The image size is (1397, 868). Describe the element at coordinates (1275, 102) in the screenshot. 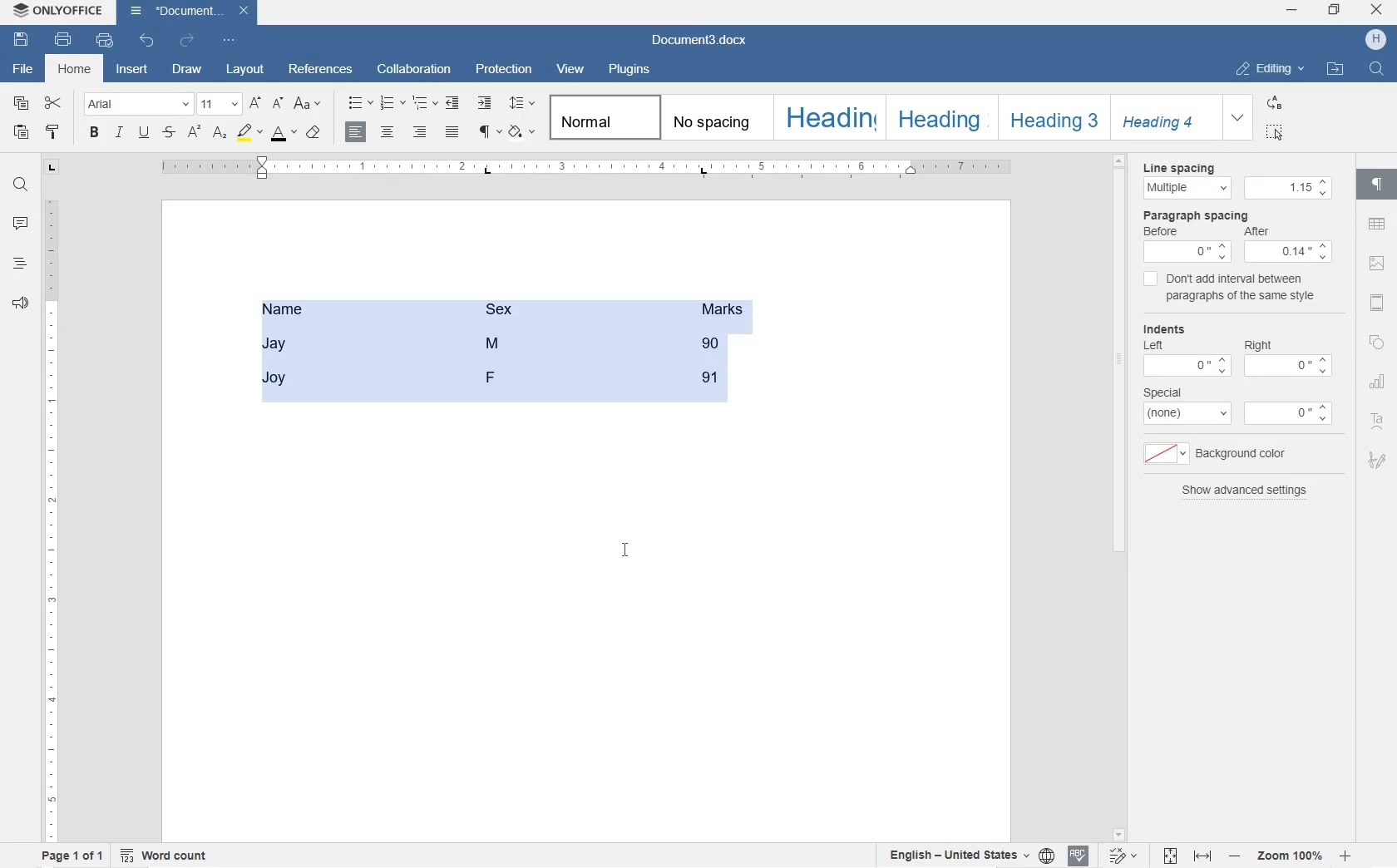

I see `REPLACE` at that location.